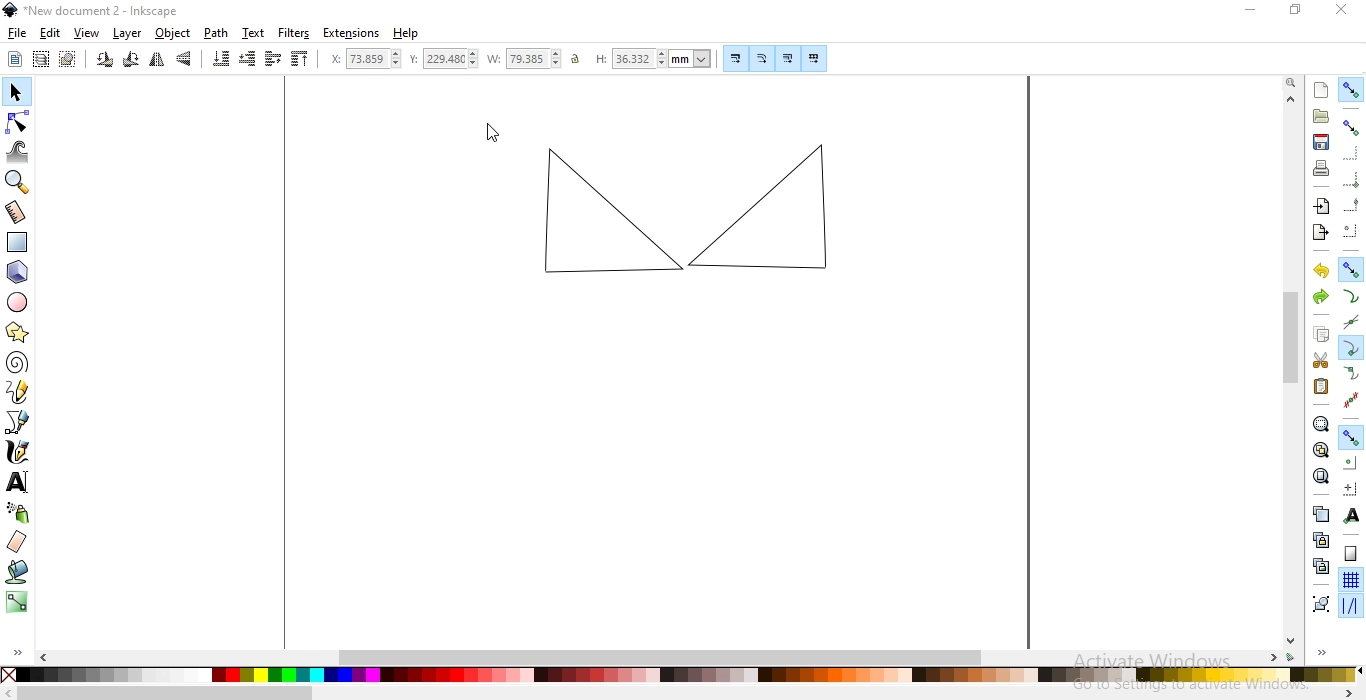 Image resolution: width=1366 pixels, height=700 pixels. What do you see at coordinates (1353, 153) in the screenshot?
I see `snap to edges of bounding boxes` at bounding box center [1353, 153].